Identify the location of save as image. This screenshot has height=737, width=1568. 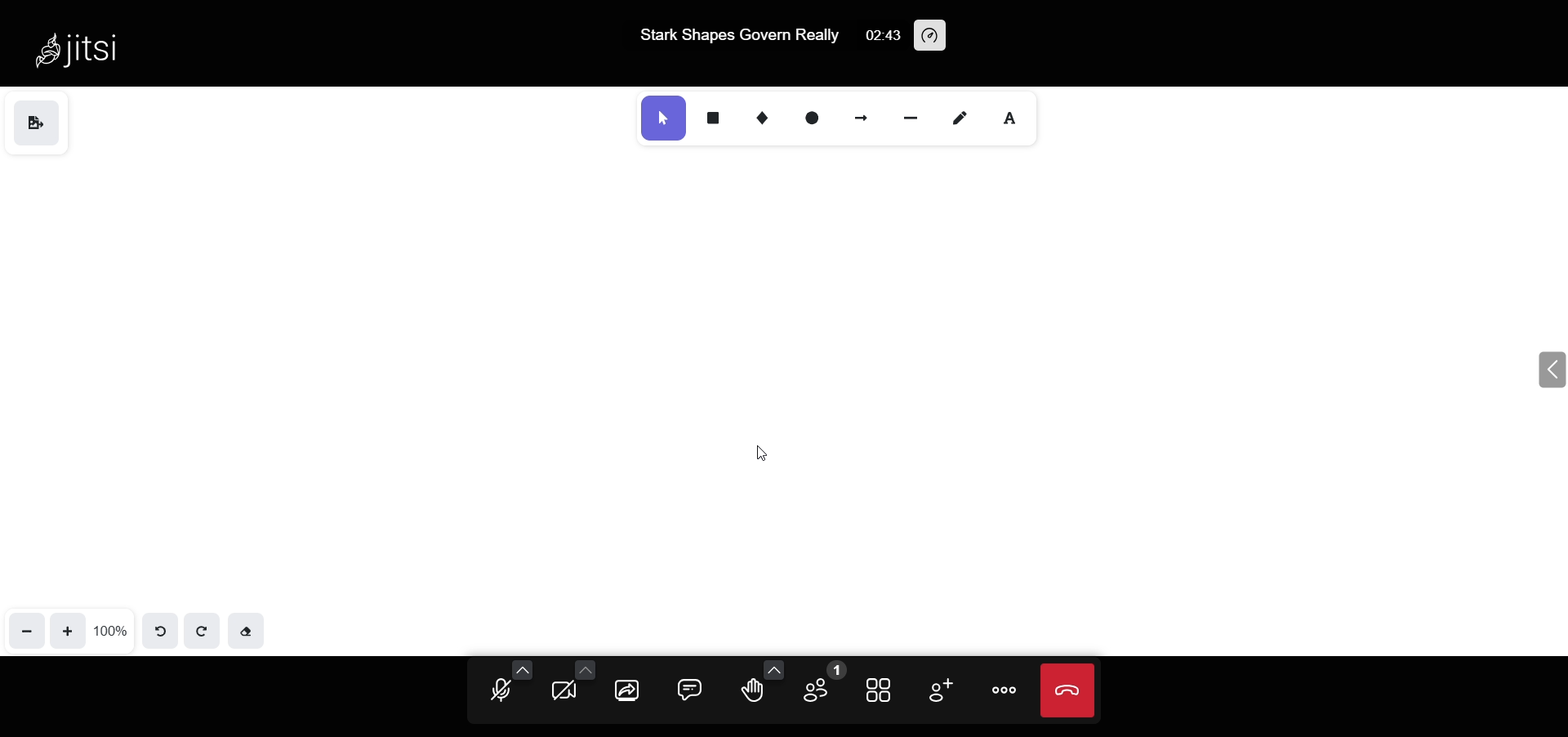
(36, 125).